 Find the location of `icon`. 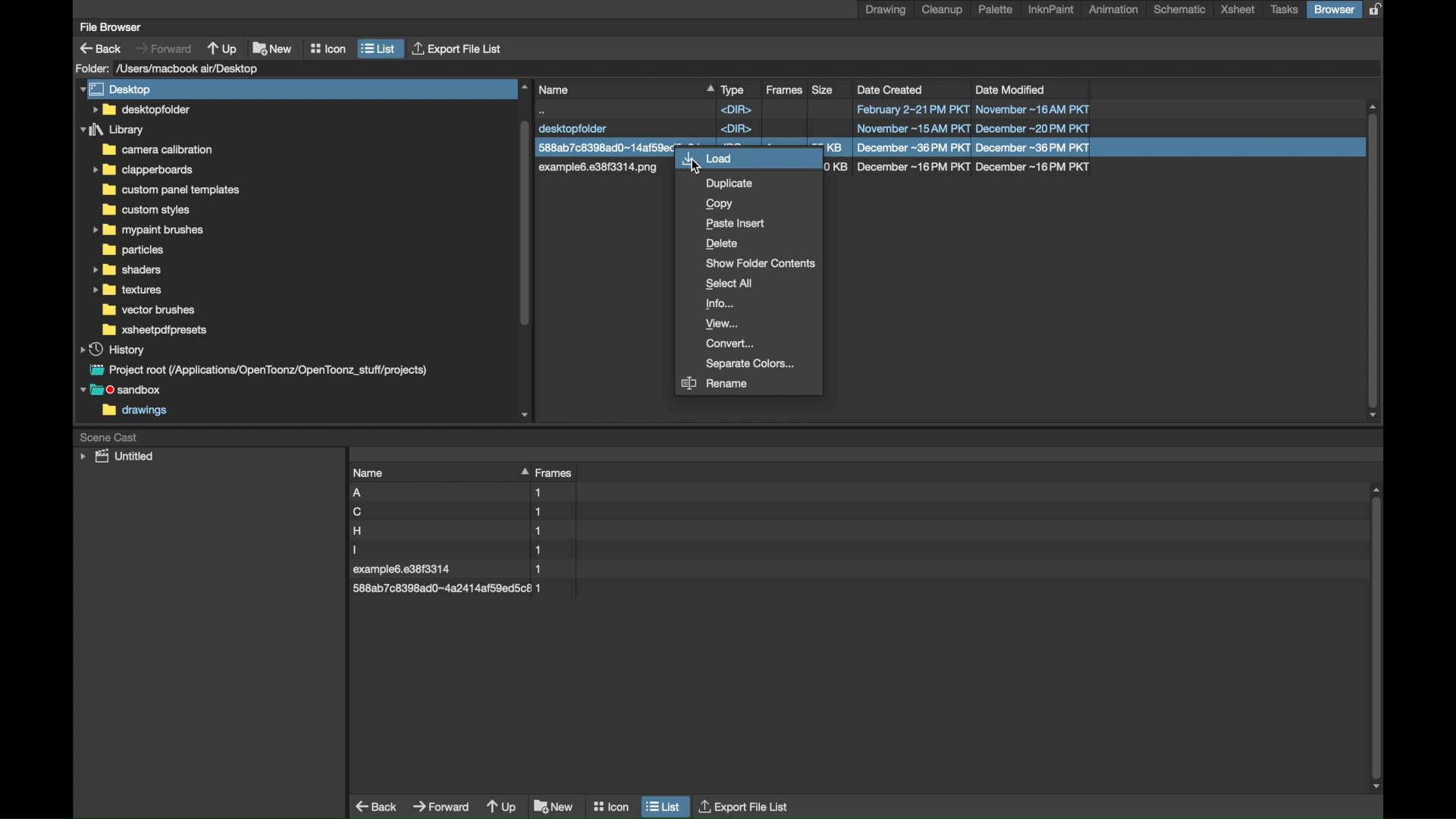

icon is located at coordinates (328, 49).